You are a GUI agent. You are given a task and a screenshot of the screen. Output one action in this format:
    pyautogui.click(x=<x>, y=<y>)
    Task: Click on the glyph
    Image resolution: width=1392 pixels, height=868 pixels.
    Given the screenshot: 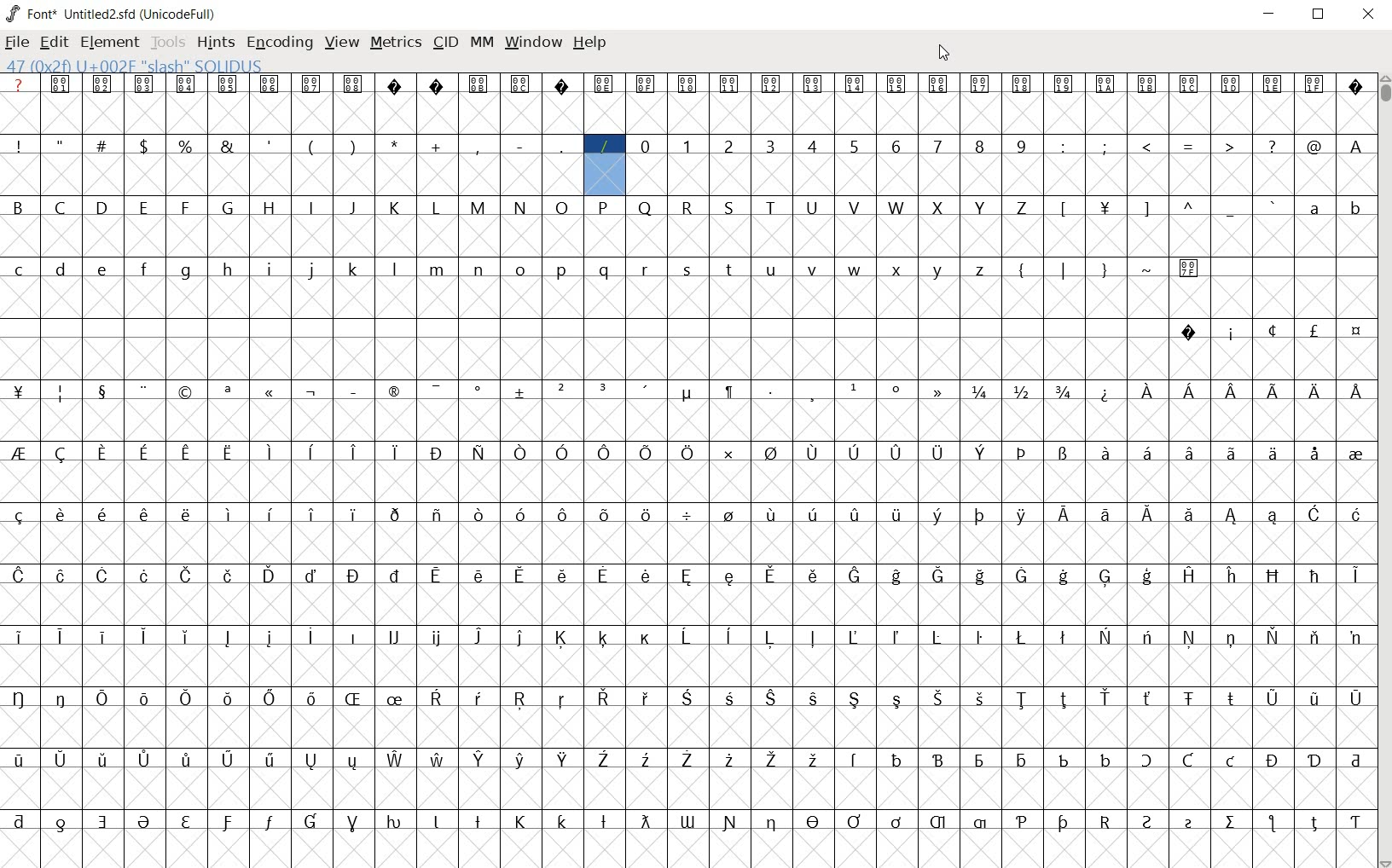 What is the action you would take?
    pyautogui.click(x=1105, y=209)
    